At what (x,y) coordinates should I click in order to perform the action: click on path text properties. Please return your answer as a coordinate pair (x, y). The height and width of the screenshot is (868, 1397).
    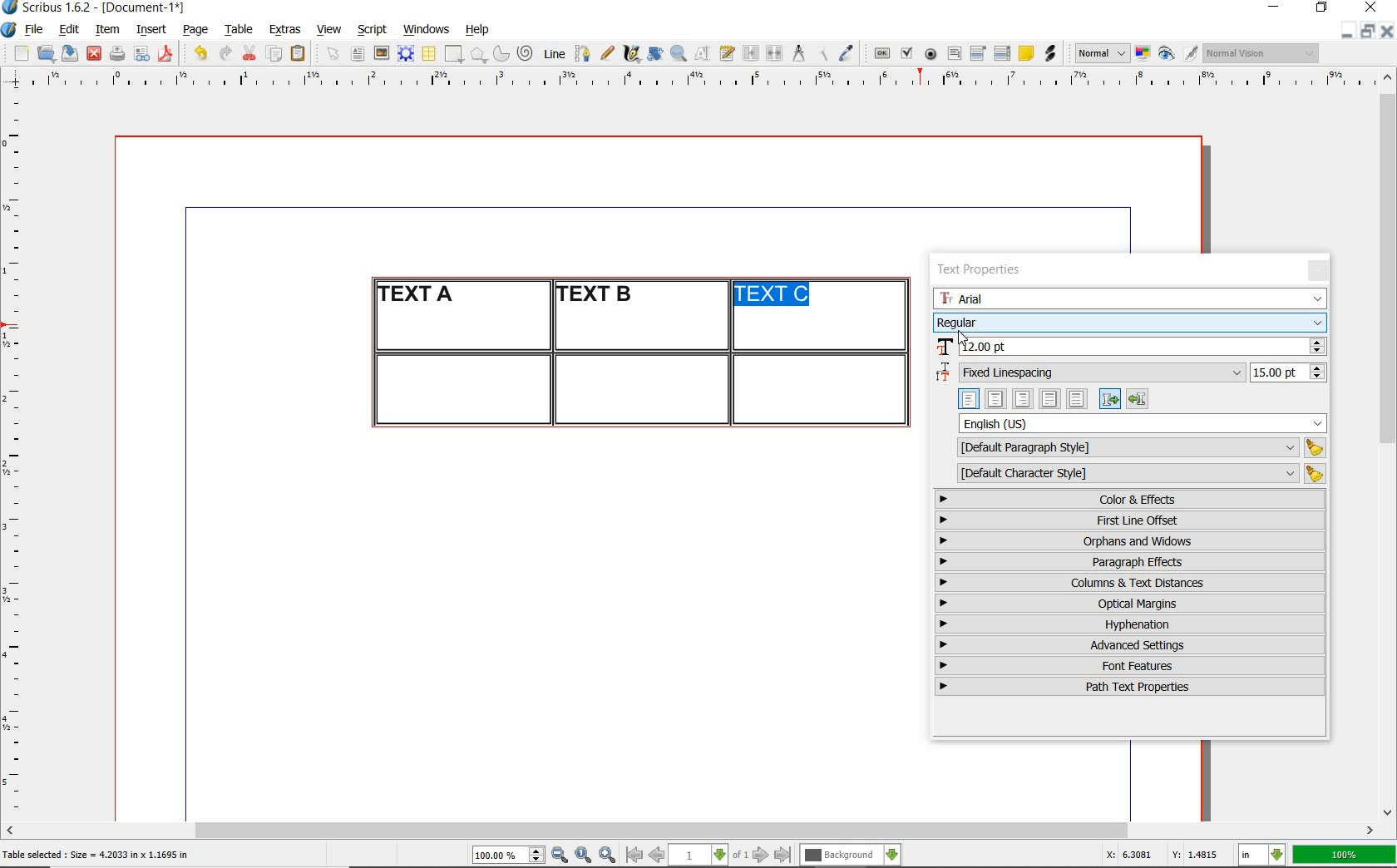
    Looking at the image, I should click on (1128, 687).